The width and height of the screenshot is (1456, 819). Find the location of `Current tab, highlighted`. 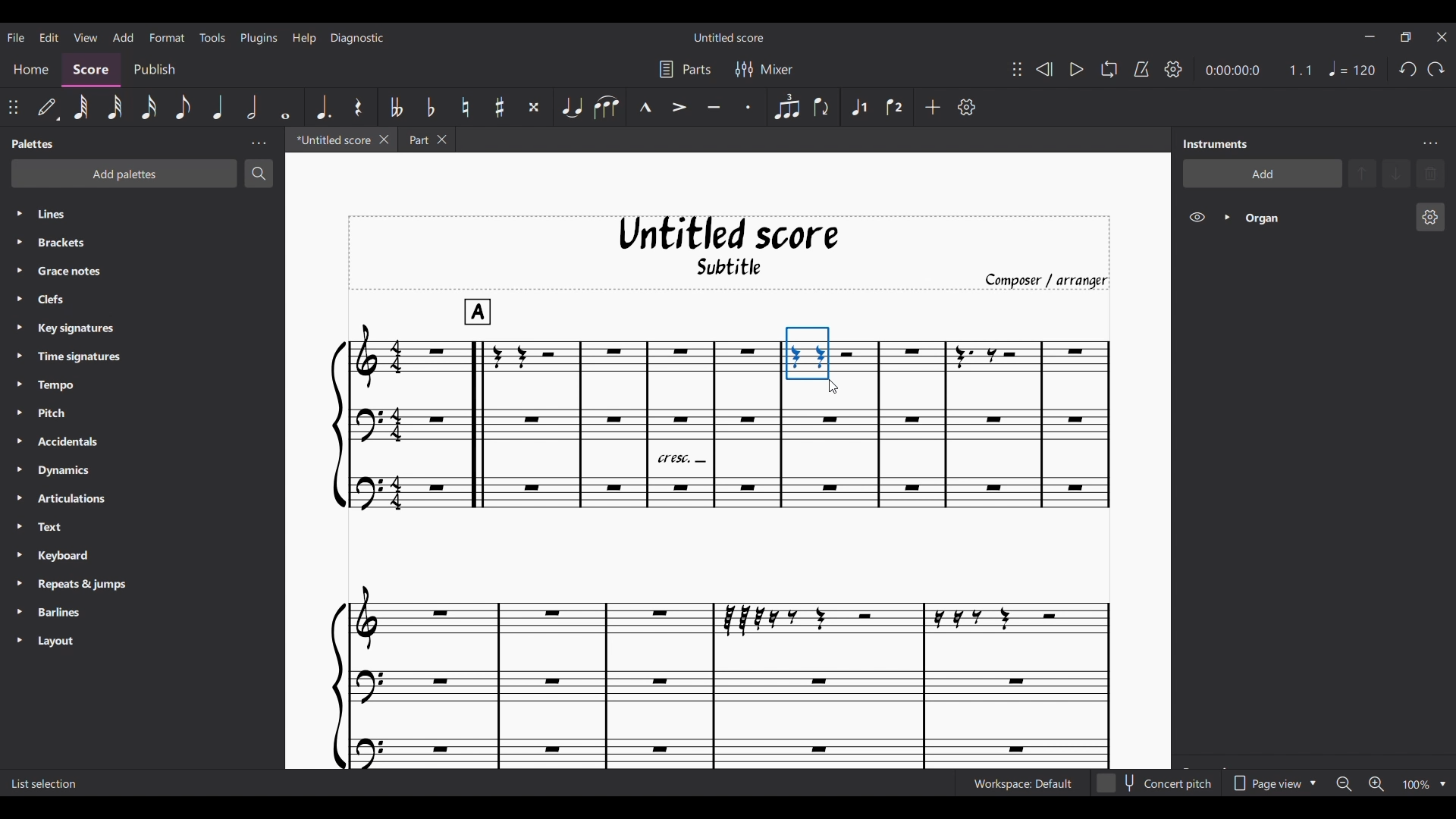

Current tab, highlighted is located at coordinates (332, 140).